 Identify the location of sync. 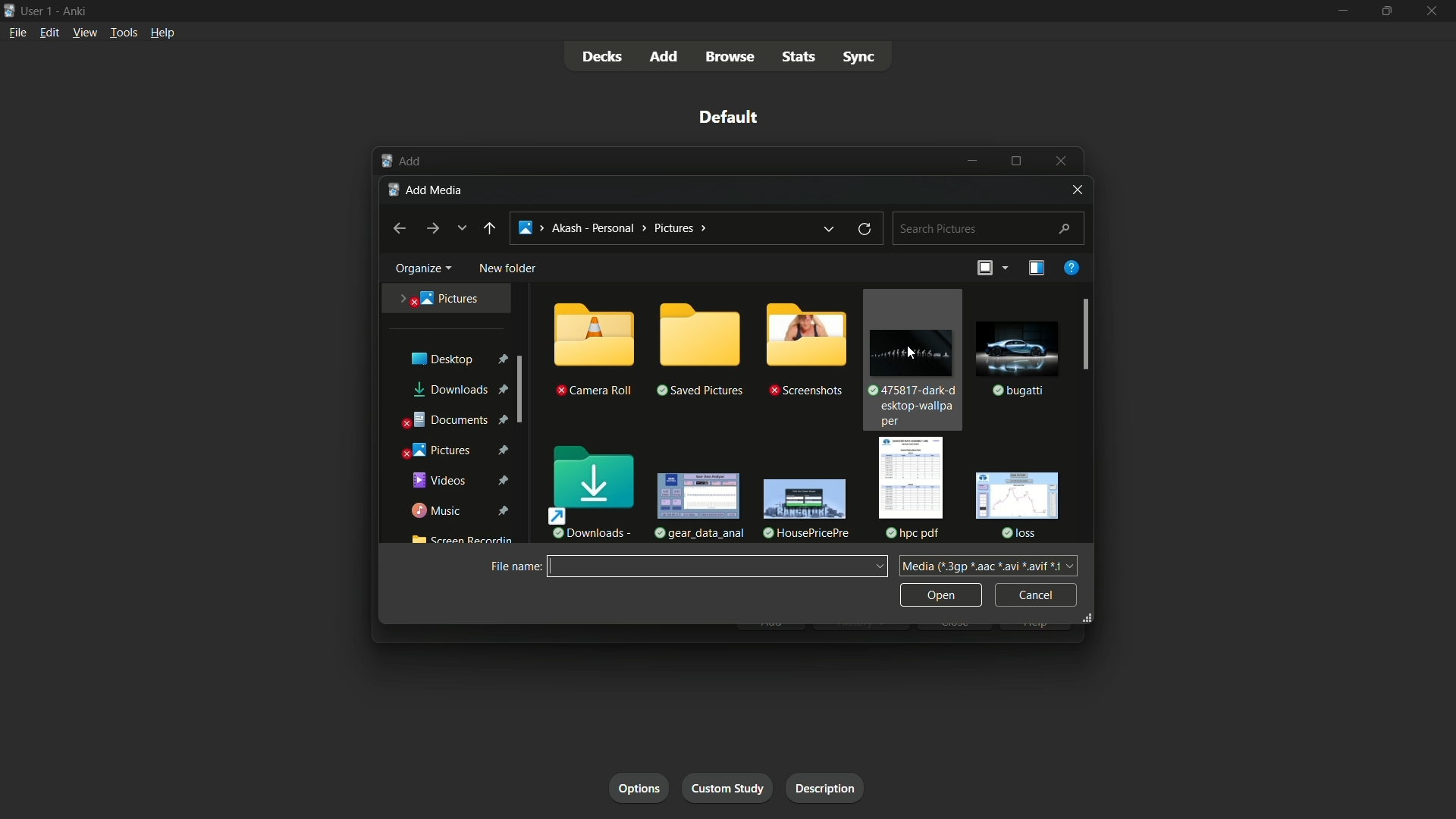
(861, 58).